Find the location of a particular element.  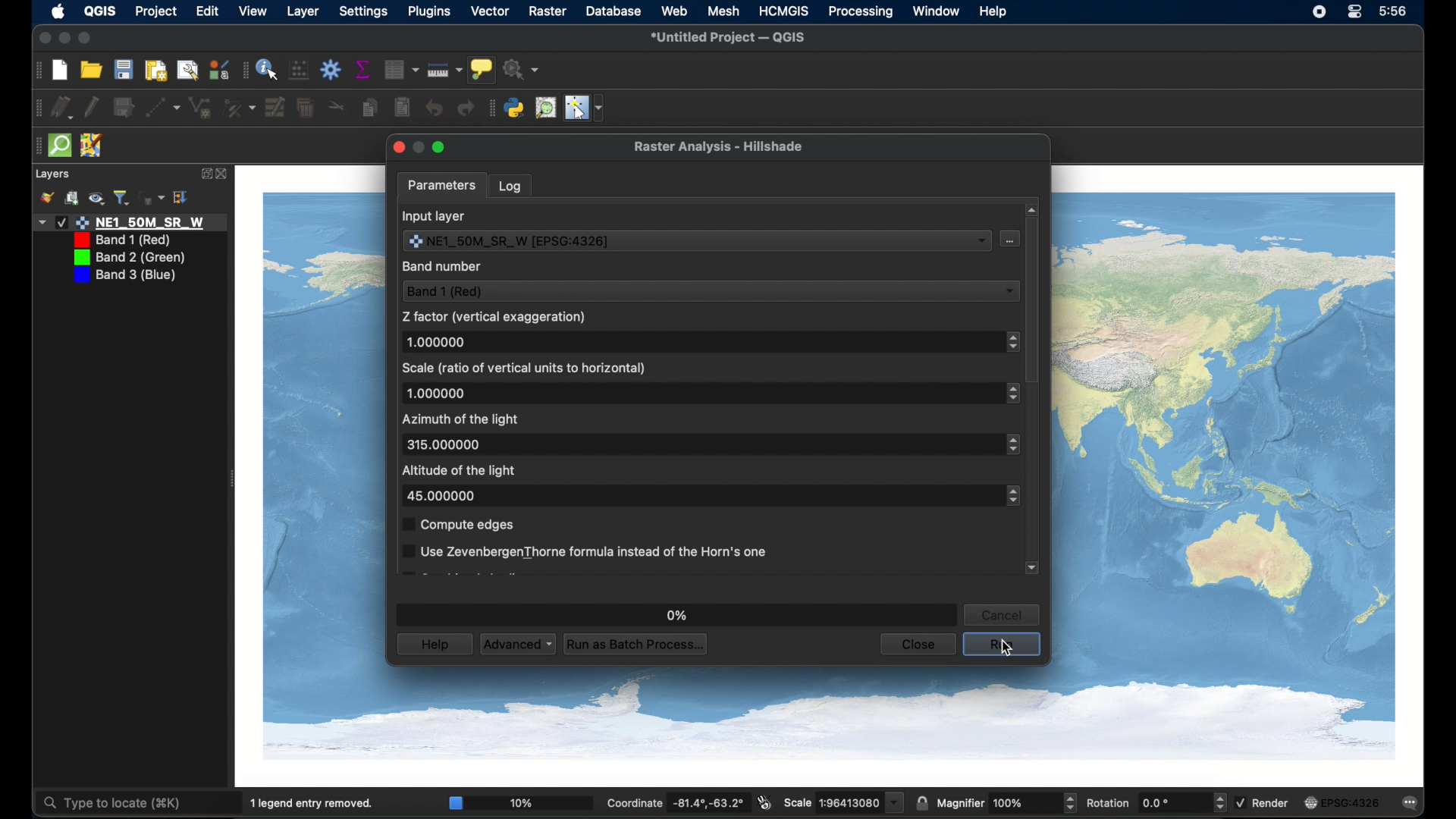

time is located at coordinates (1393, 11).